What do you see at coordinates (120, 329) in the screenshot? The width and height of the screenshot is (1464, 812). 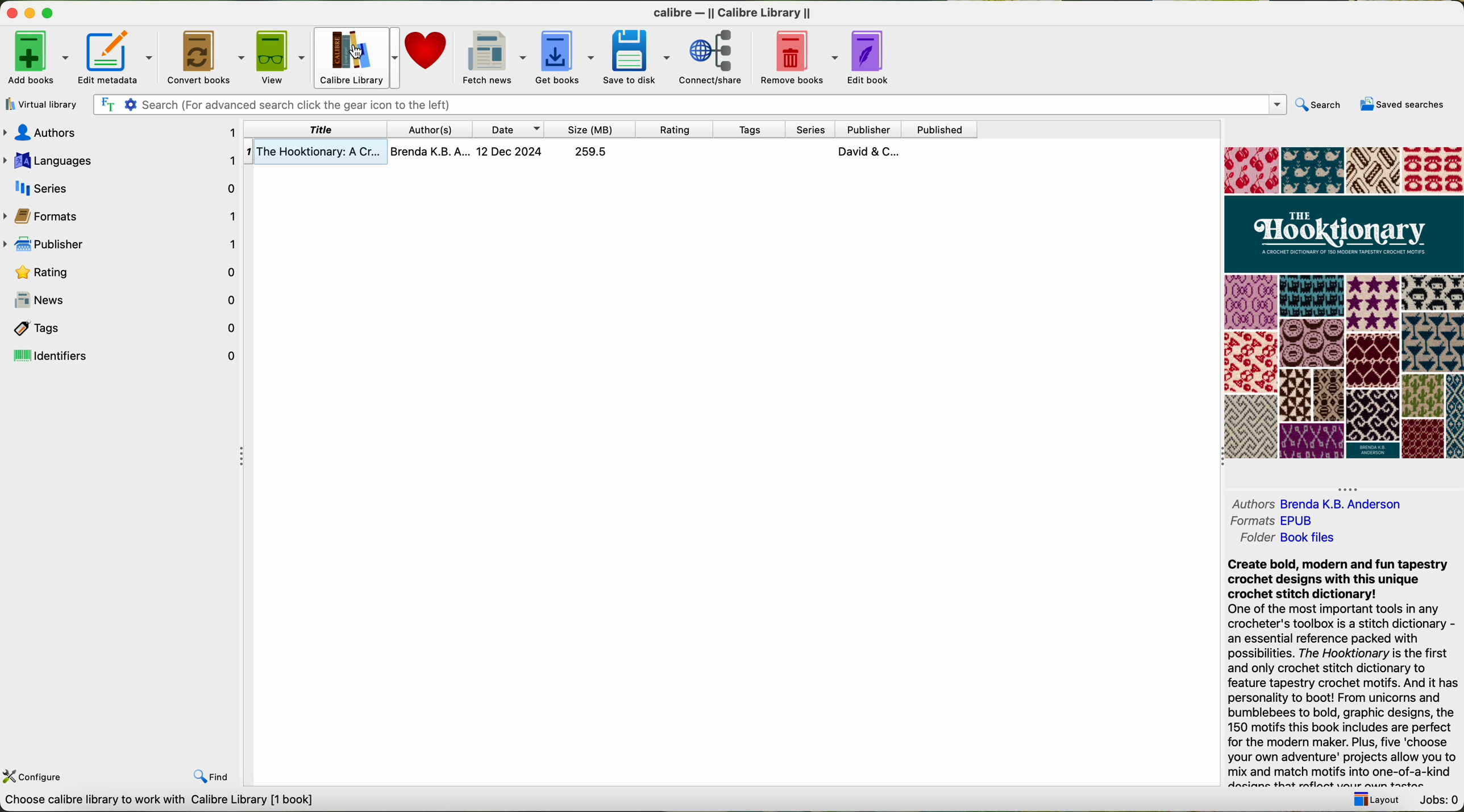 I see `tags` at bounding box center [120, 329].